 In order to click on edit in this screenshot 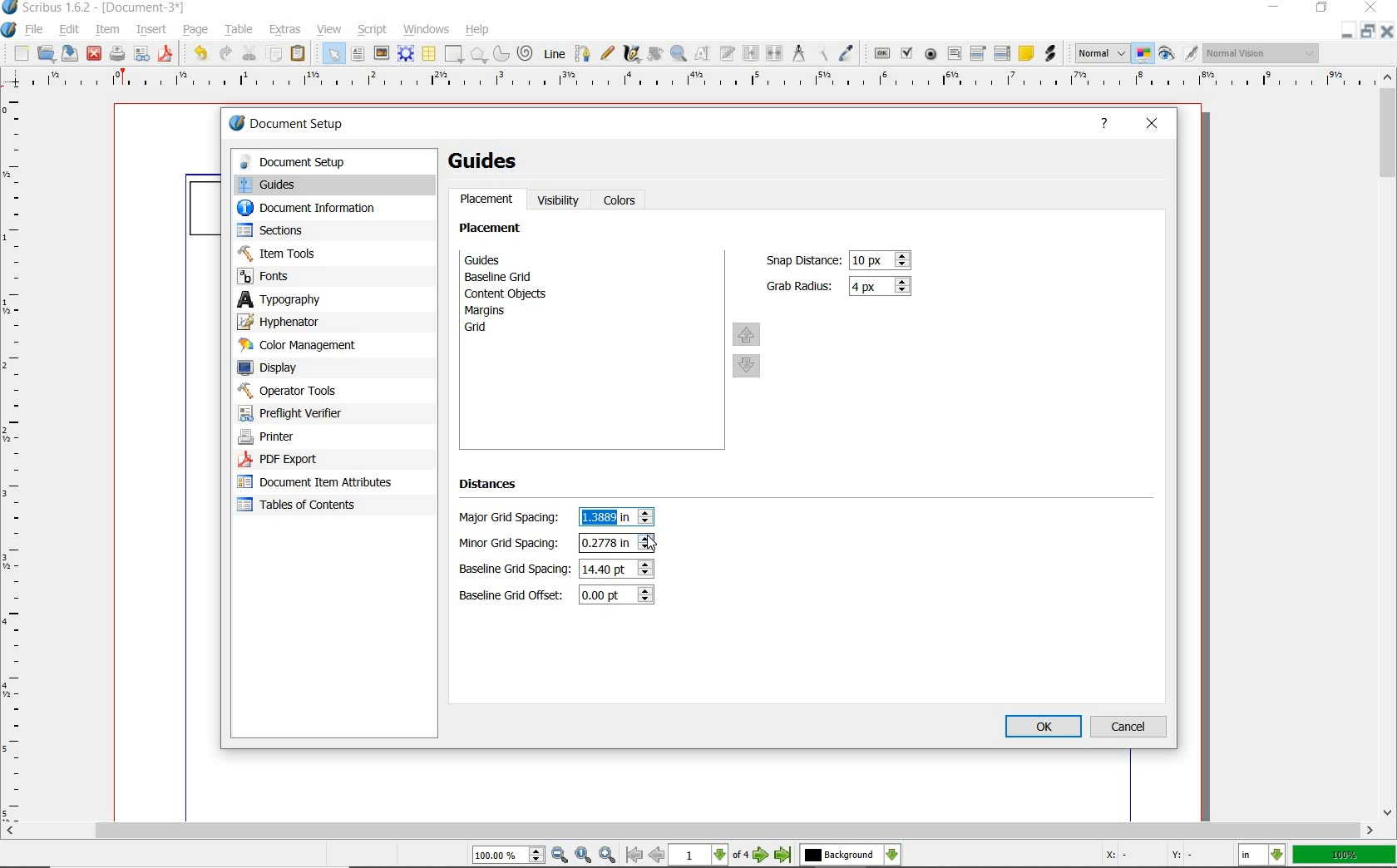, I will do `click(68, 30)`.